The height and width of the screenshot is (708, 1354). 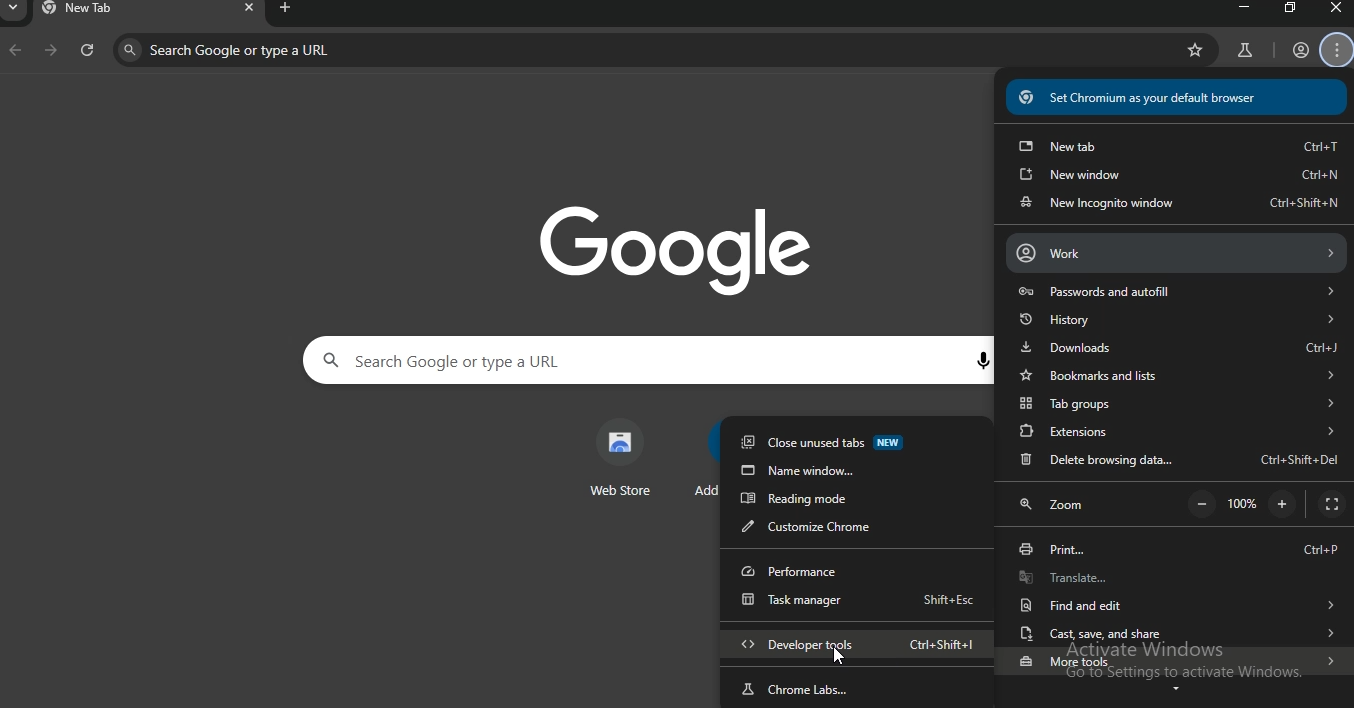 I want to click on new tab, so click(x=103, y=10).